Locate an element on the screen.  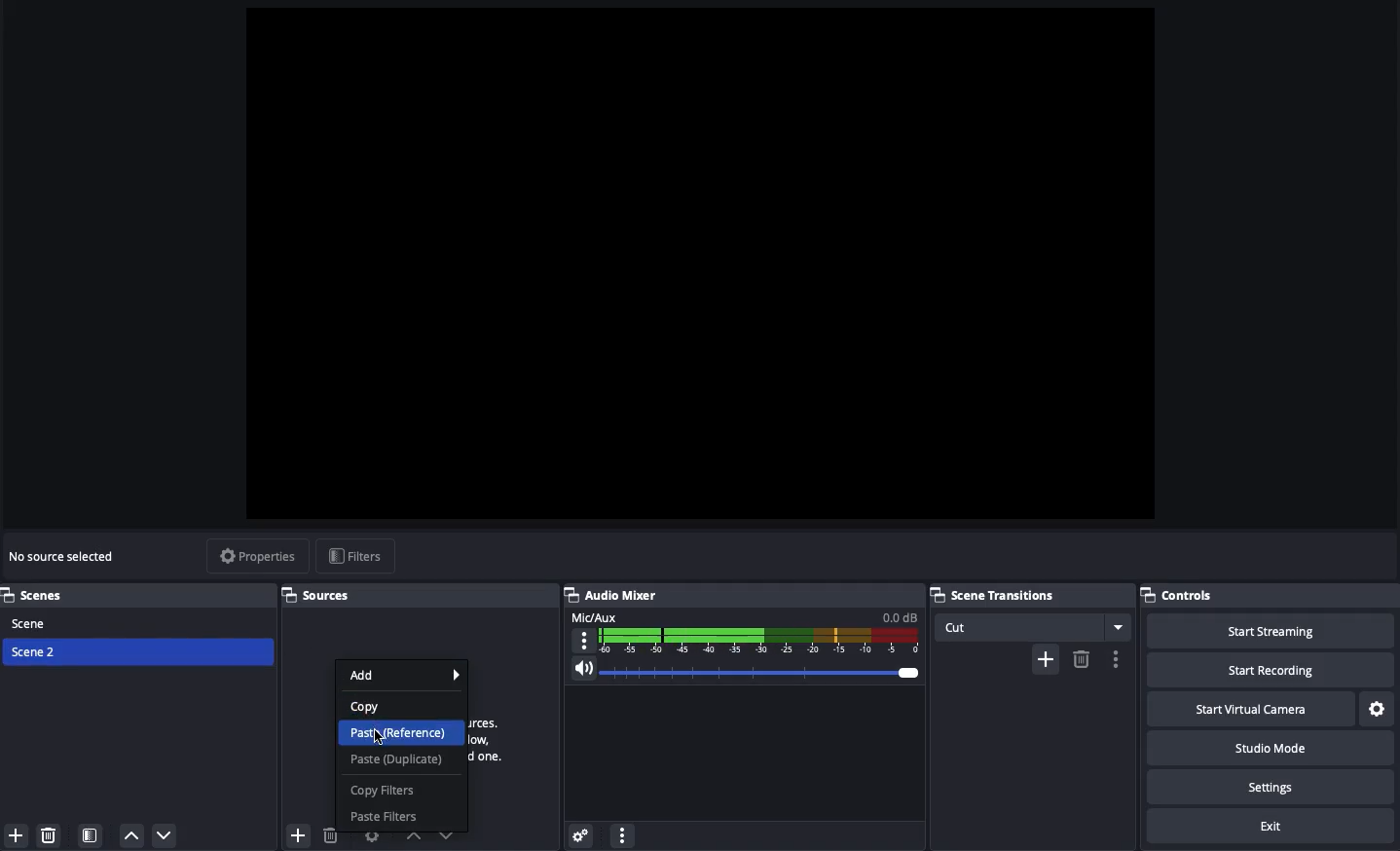
Add is located at coordinates (408, 674).